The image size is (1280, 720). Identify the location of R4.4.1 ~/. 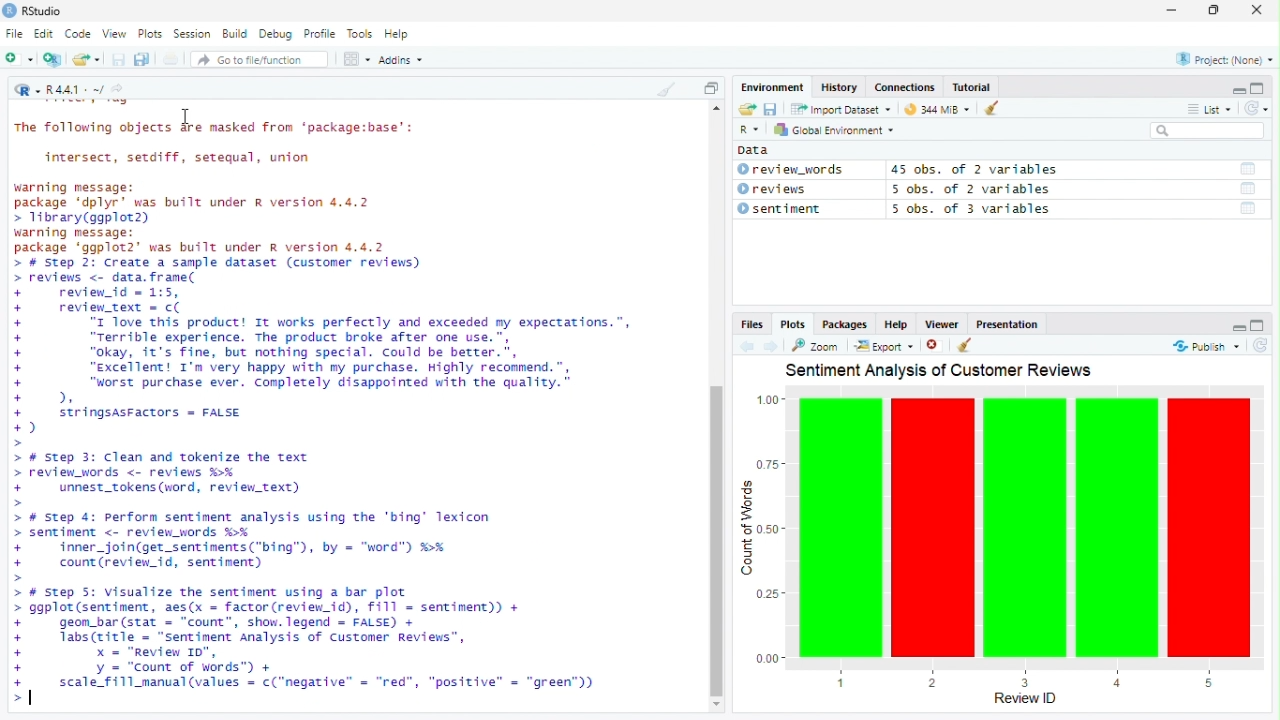
(77, 91).